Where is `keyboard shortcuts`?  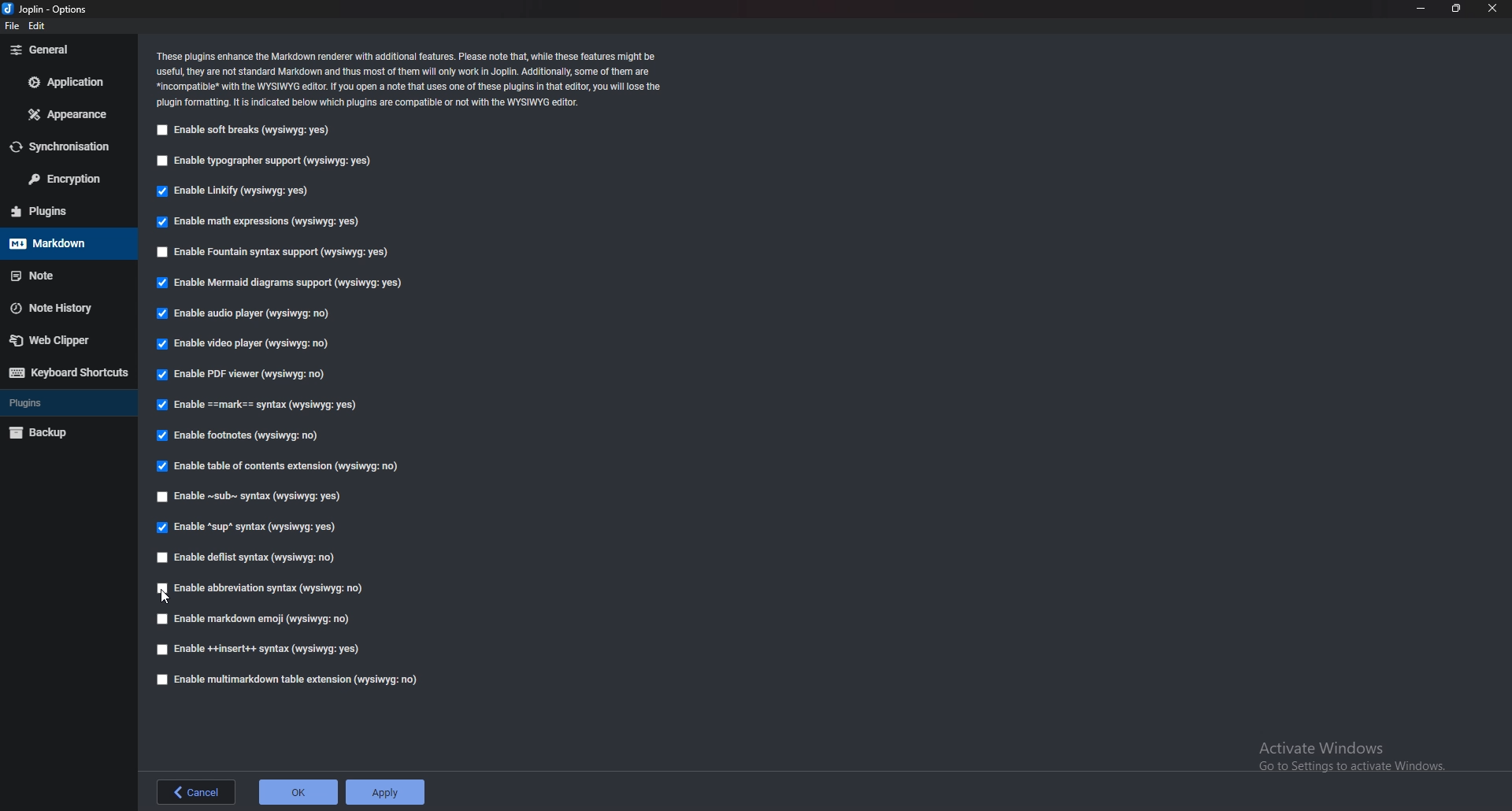
keyboard shortcuts is located at coordinates (69, 373).